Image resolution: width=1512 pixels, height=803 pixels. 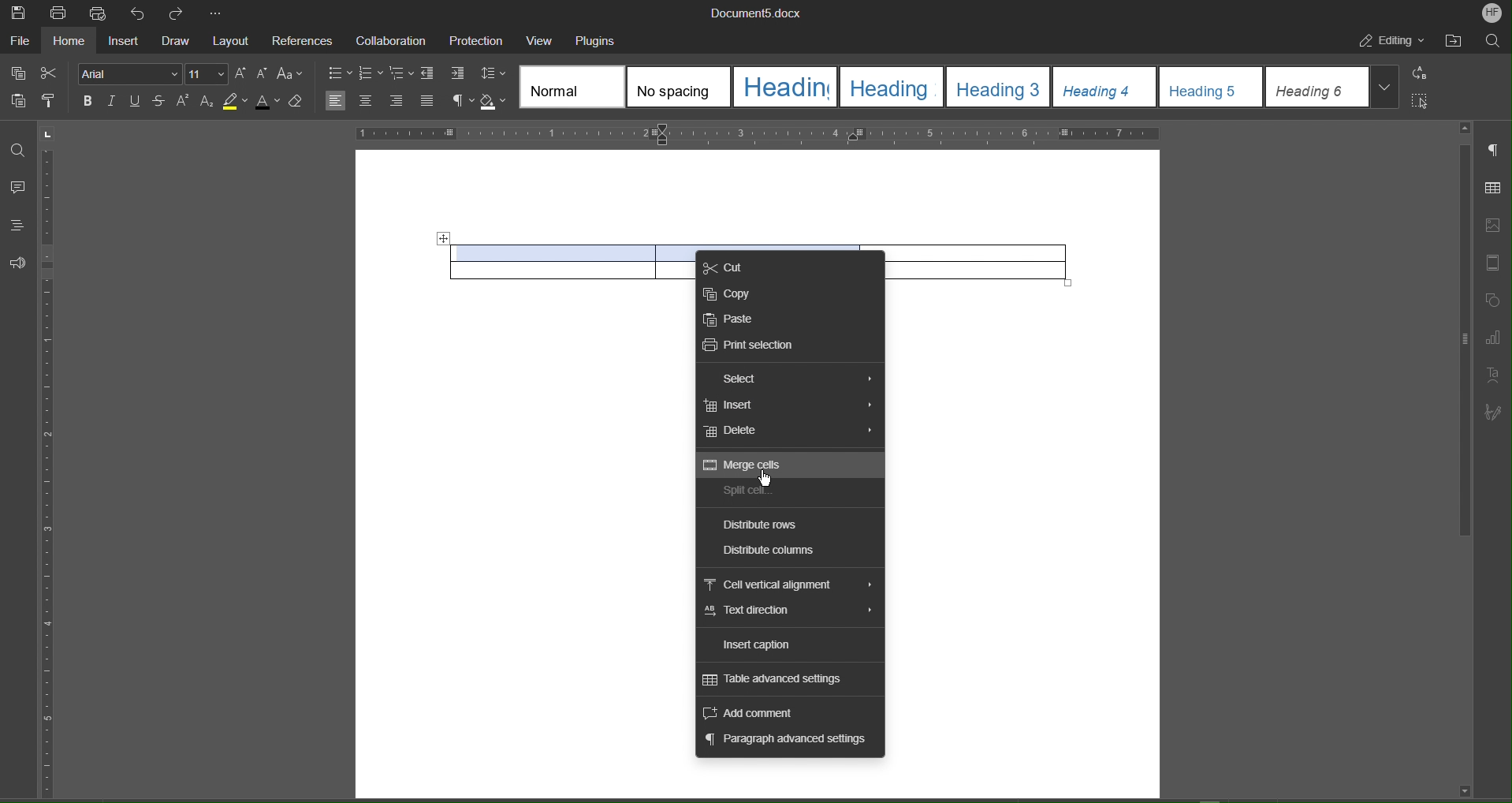 What do you see at coordinates (58, 13) in the screenshot?
I see `Print` at bounding box center [58, 13].